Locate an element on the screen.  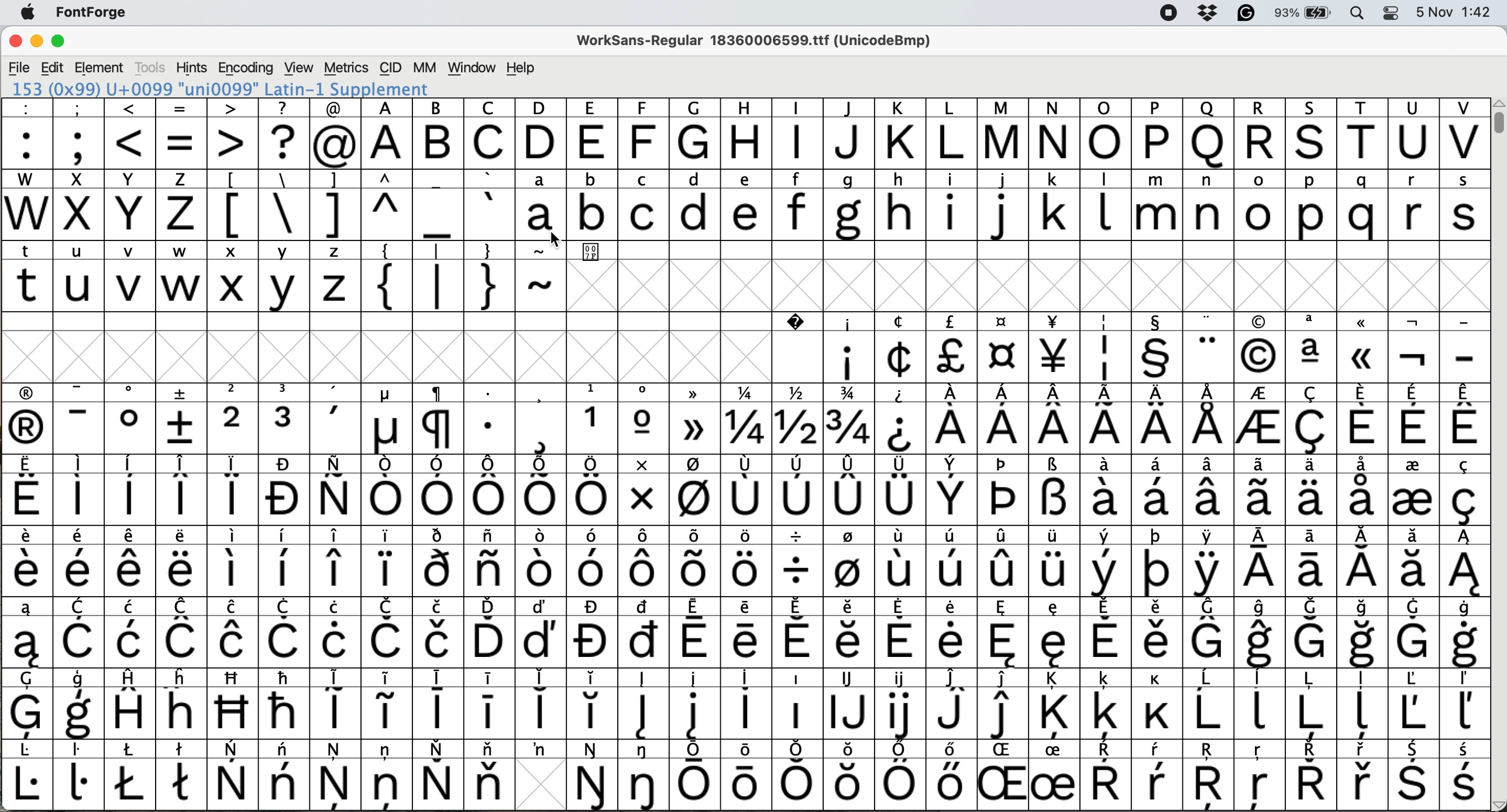
cid is located at coordinates (391, 68).